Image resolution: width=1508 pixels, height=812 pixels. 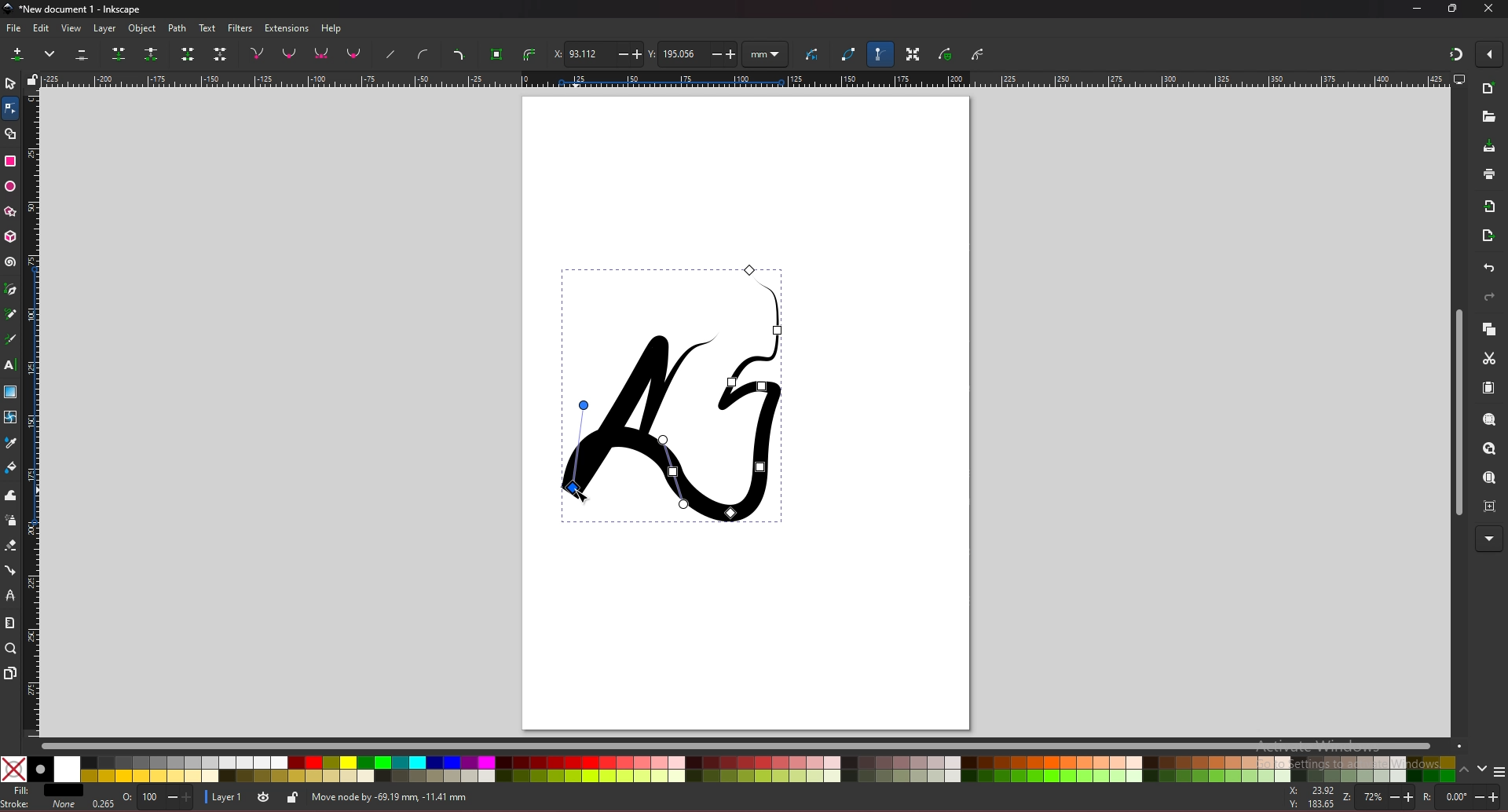 What do you see at coordinates (529, 54) in the screenshot?
I see `stroke to path` at bounding box center [529, 54].